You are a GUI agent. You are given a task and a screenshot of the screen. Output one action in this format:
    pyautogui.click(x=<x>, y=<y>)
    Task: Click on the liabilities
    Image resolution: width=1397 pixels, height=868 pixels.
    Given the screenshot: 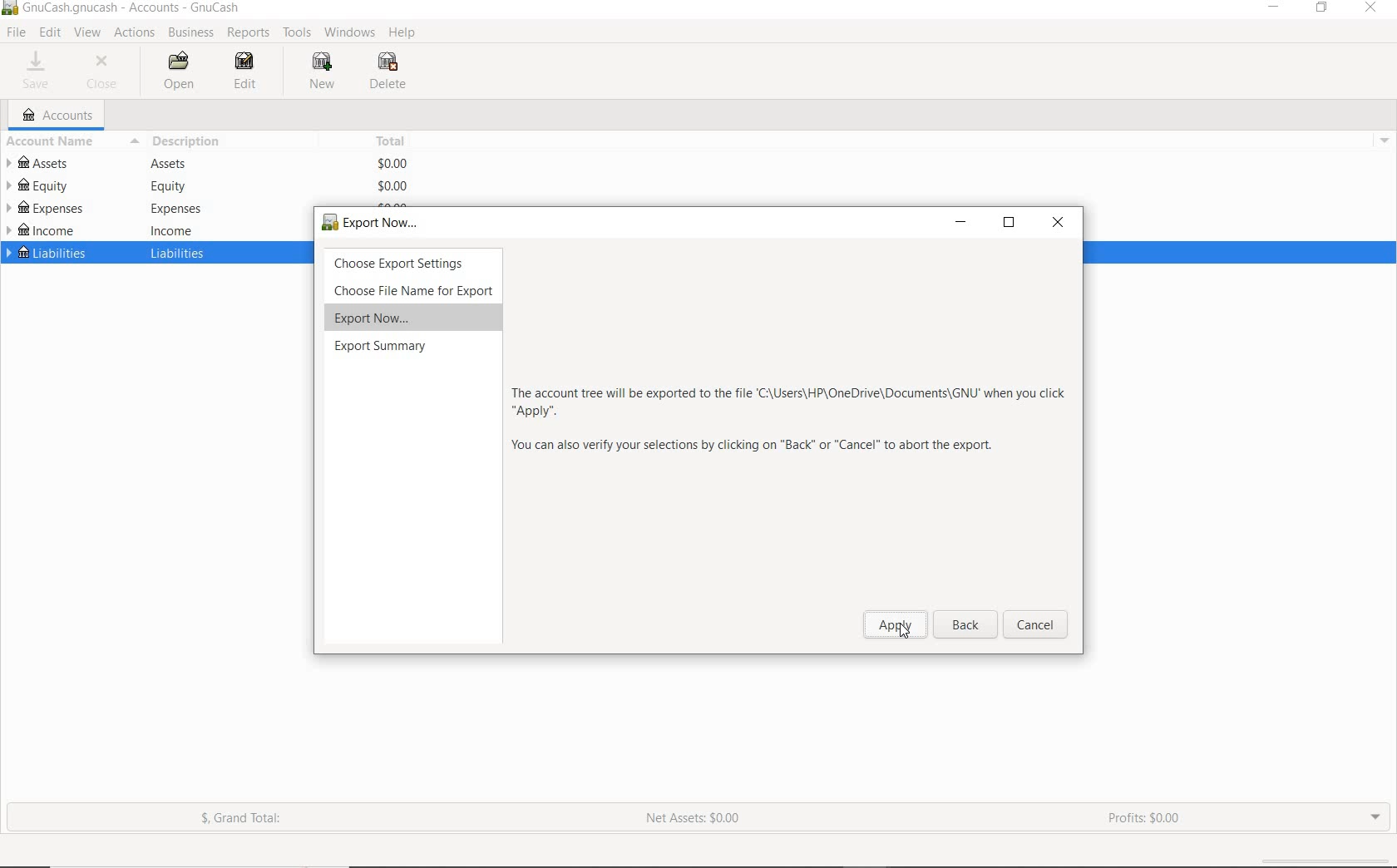 What is the action you would take?
    pyautogui.click(x=180, y=252)
    